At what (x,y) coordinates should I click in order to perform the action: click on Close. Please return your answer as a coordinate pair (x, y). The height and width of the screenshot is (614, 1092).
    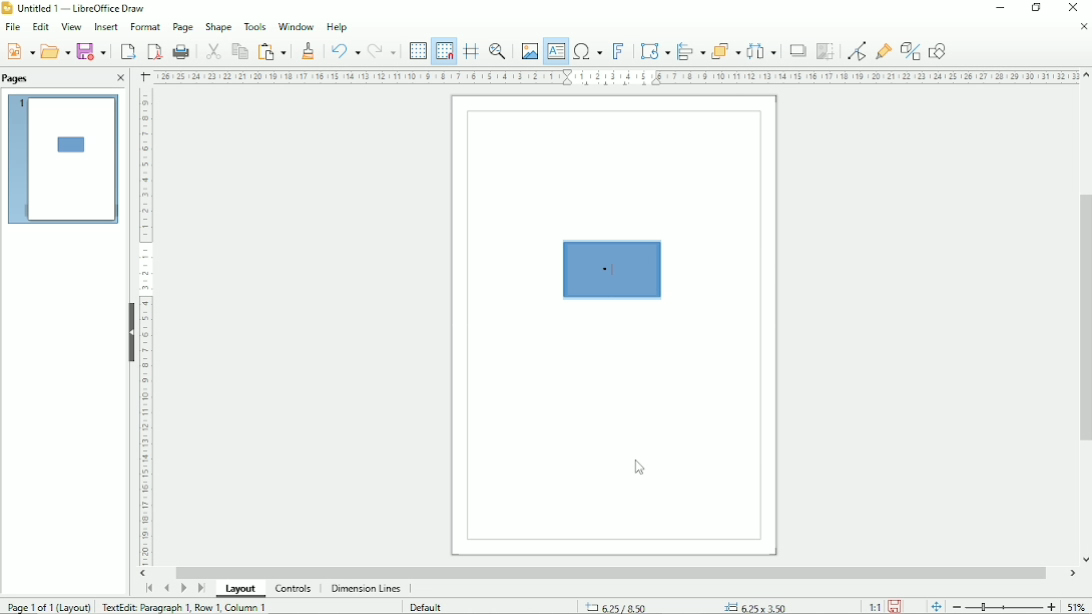
    Looking at the image, I should click on (1071, 8).